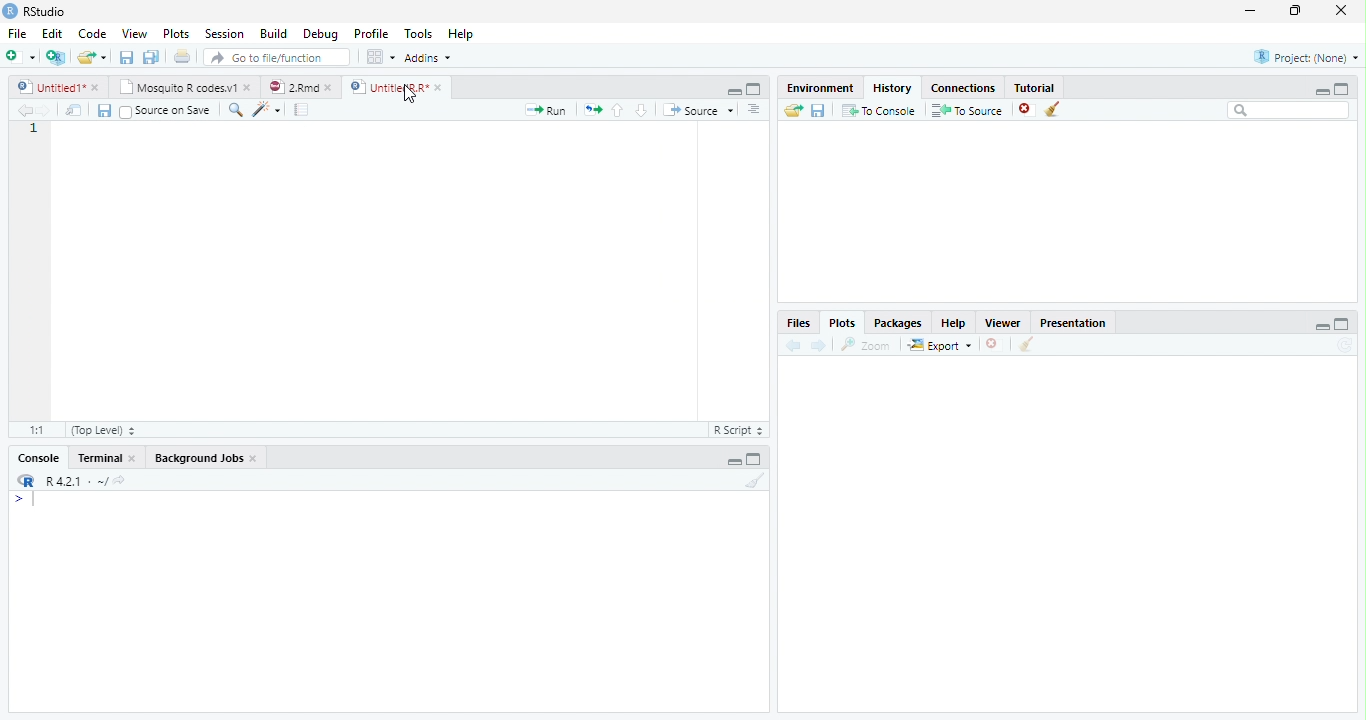  I want to click on New line, so click(24, 500).